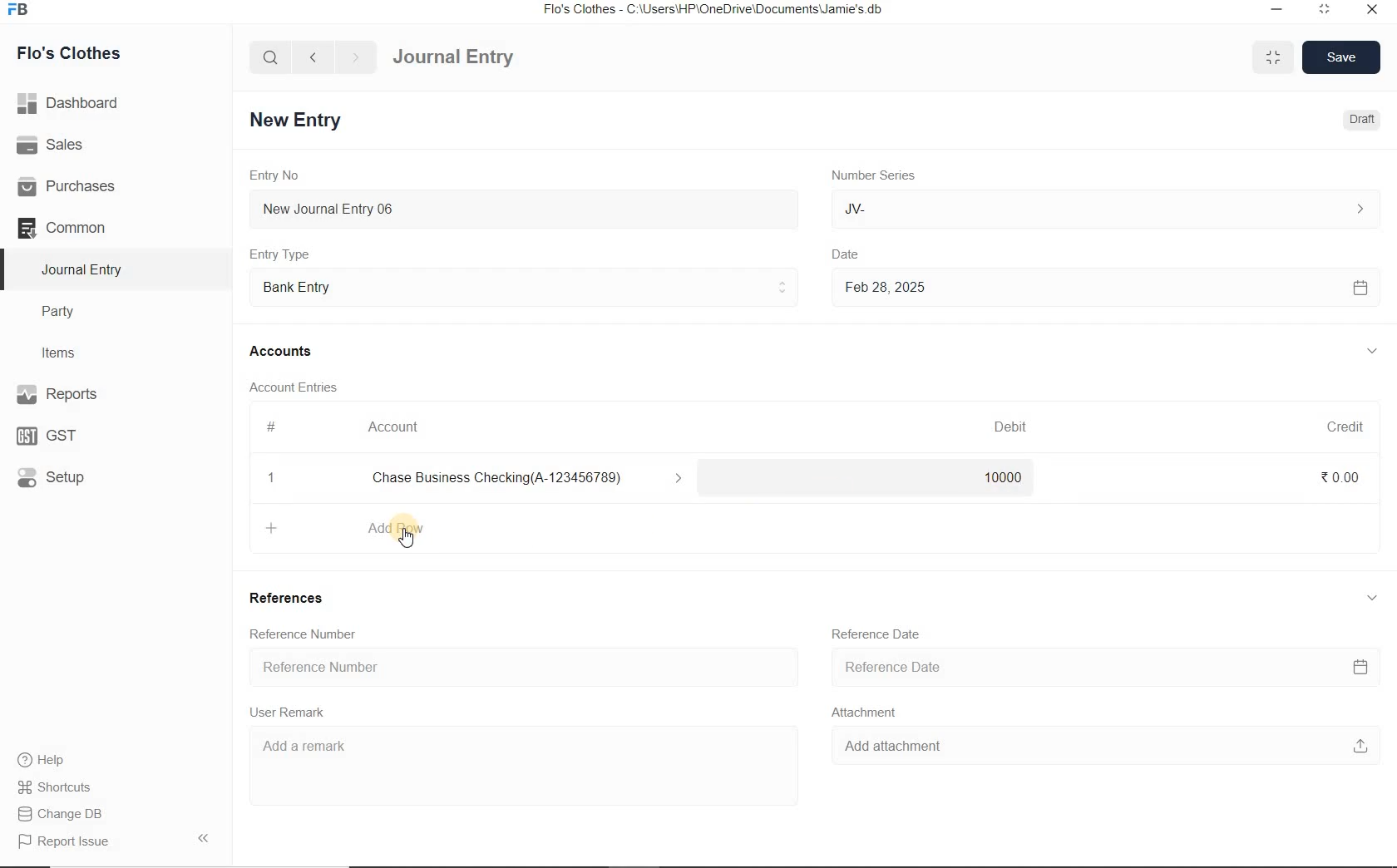  What do you see at coordinates (62, 812) in the screenshot?
I see `Change DB` at bounding box center [62, 812].